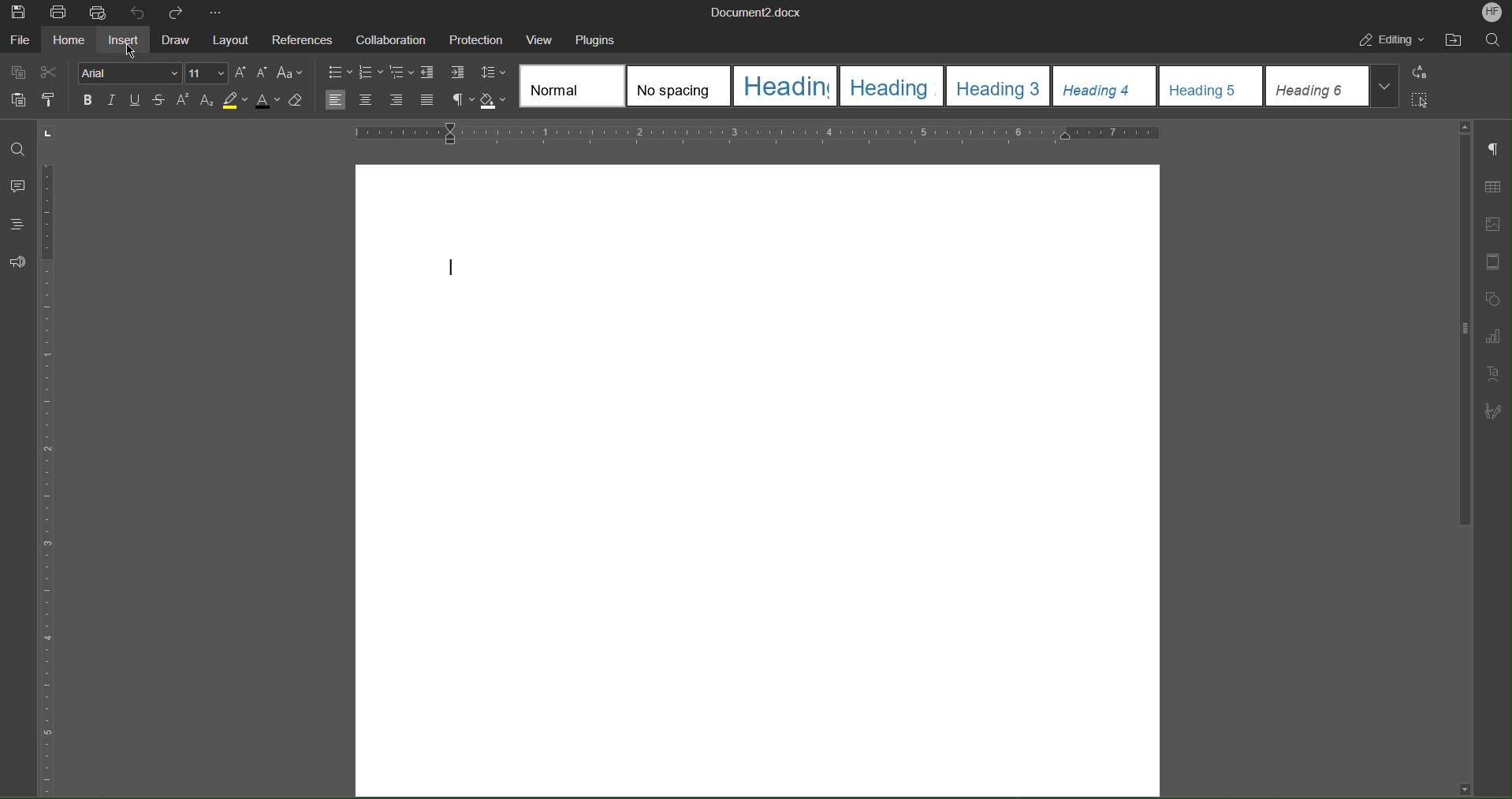  I want to click on Headings, so click(16, 224).